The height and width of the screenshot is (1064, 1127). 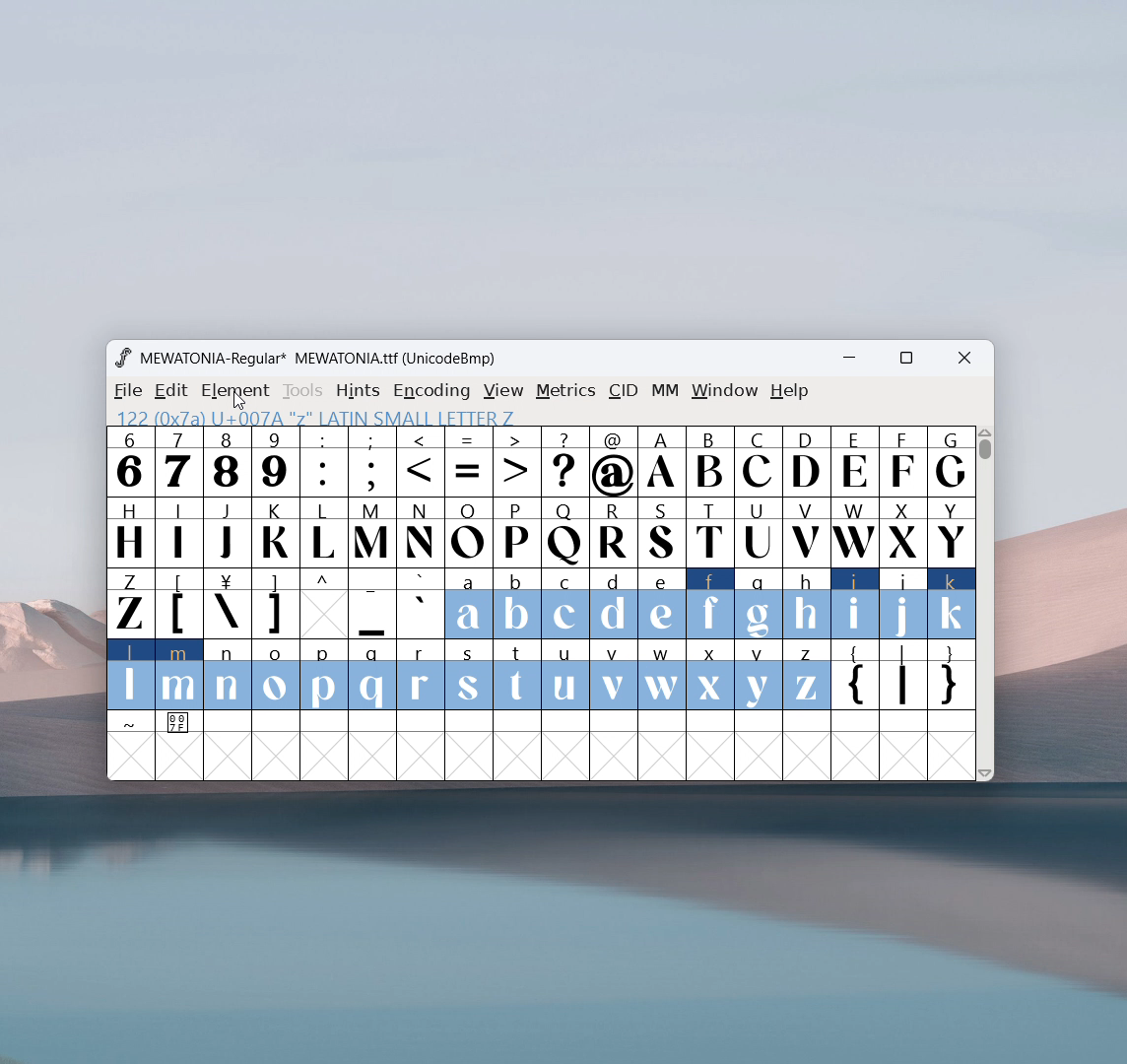 What do you see at coordinates (303, 391) in the screenshot?
I see `tools` at bounding box center [303, 391].